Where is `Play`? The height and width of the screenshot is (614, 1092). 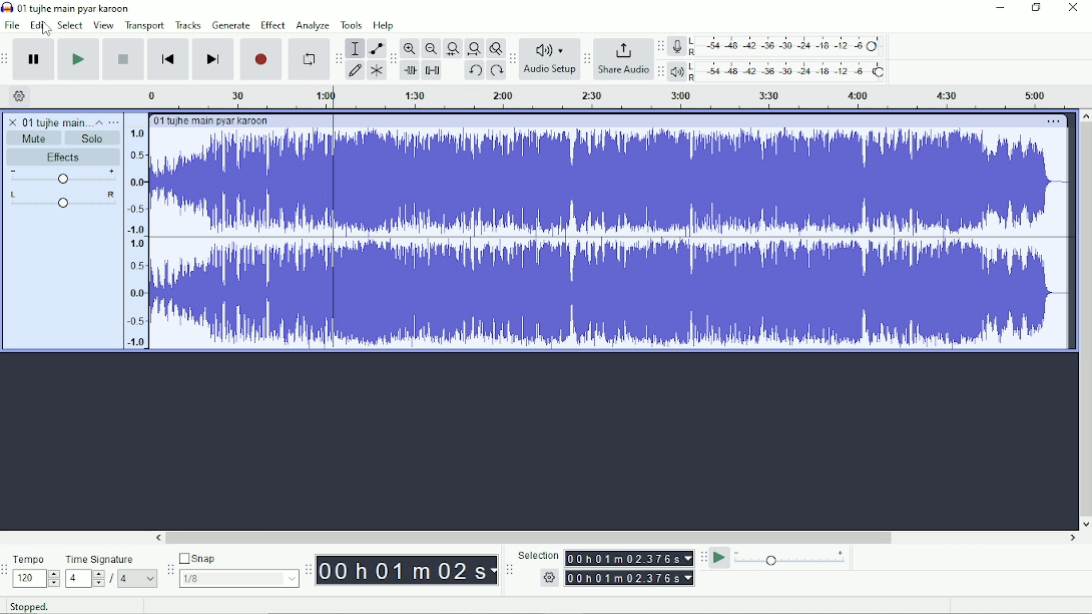 Play is located at coordinates (79, 59).